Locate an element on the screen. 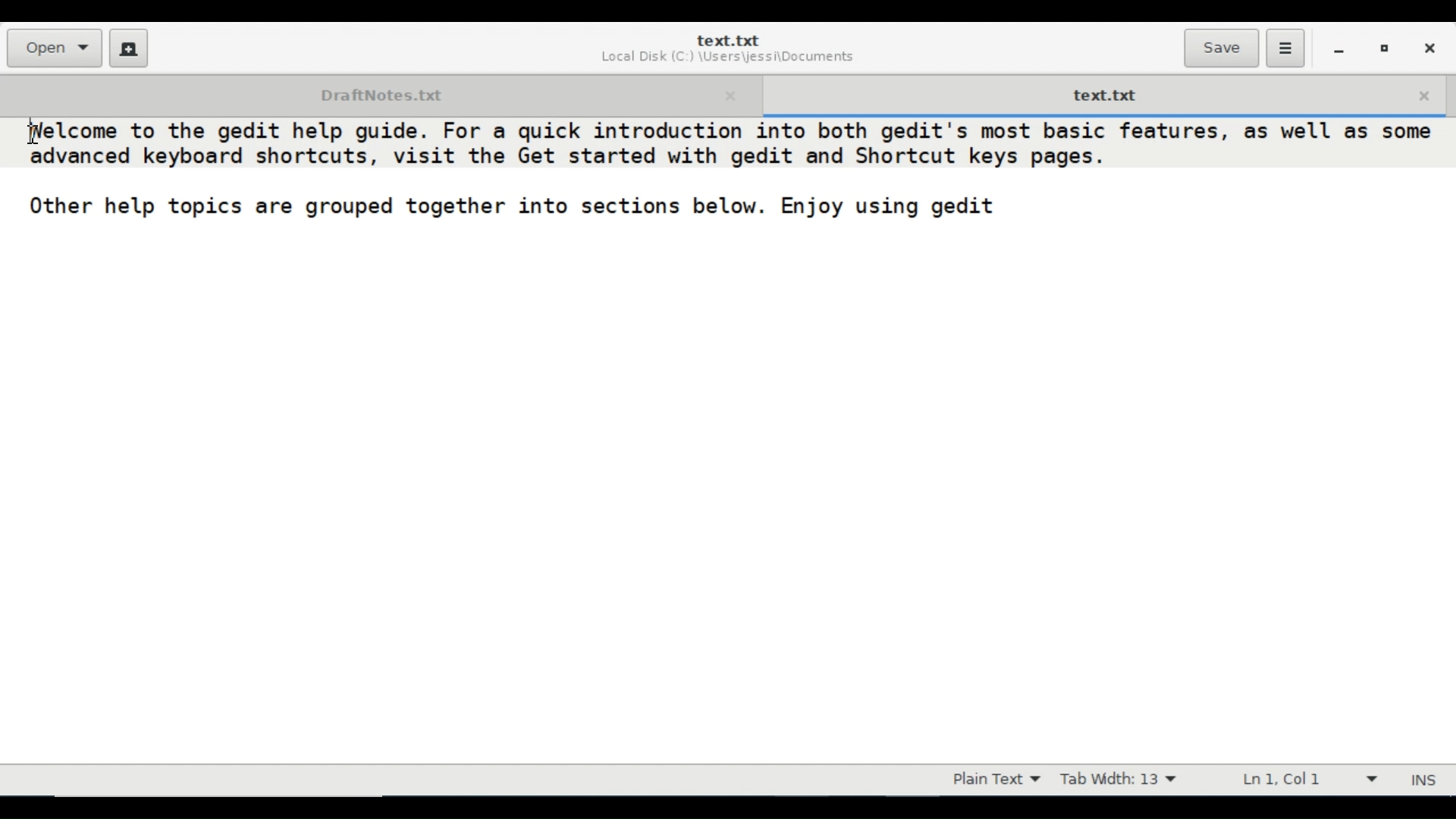 This screenshot has width=1456, height=819. Open is located at coordinates (53, 48).